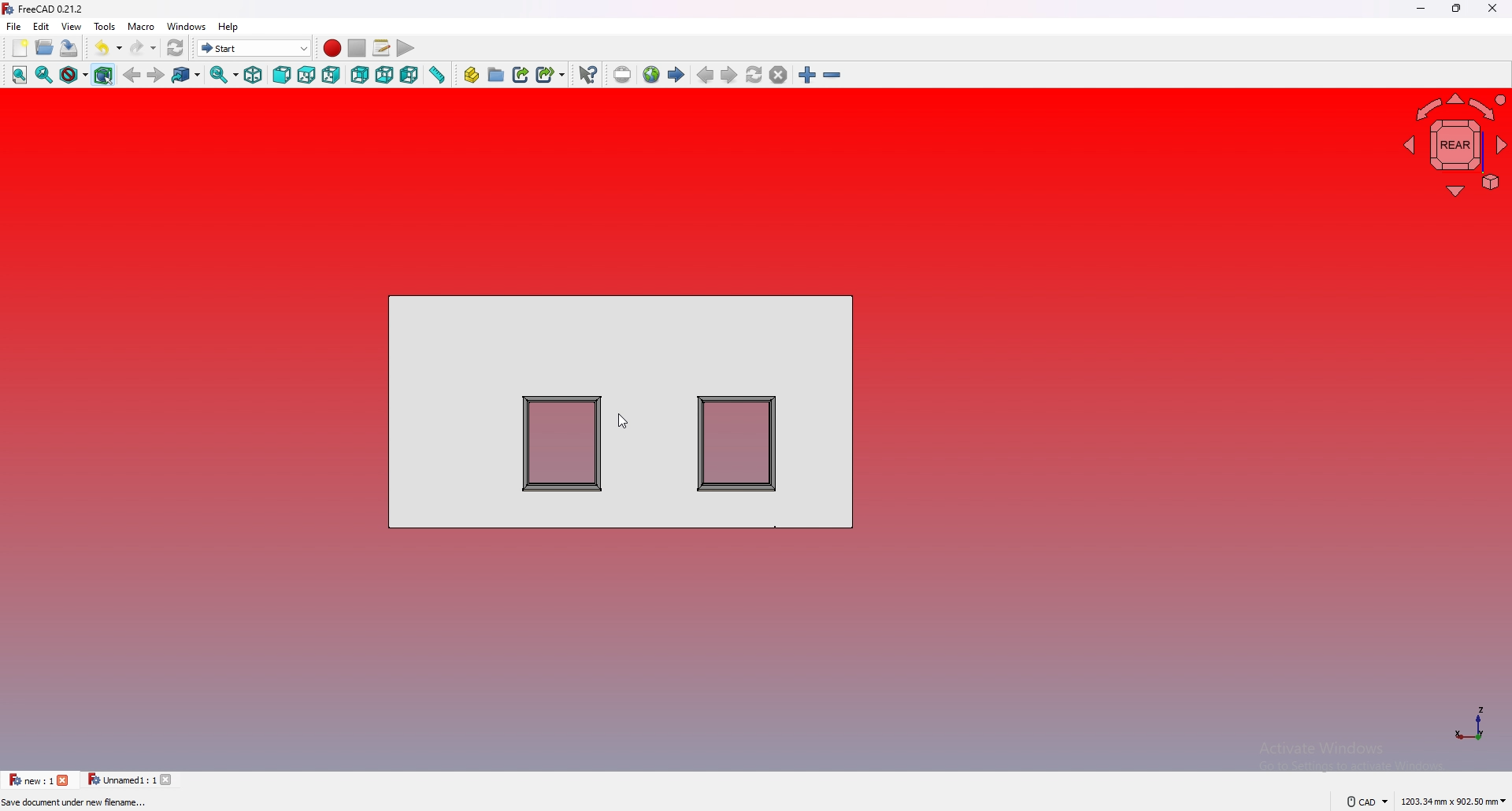 The height and width of the screenshot is (811, 1512). I want to click on back, so click(132, 76).